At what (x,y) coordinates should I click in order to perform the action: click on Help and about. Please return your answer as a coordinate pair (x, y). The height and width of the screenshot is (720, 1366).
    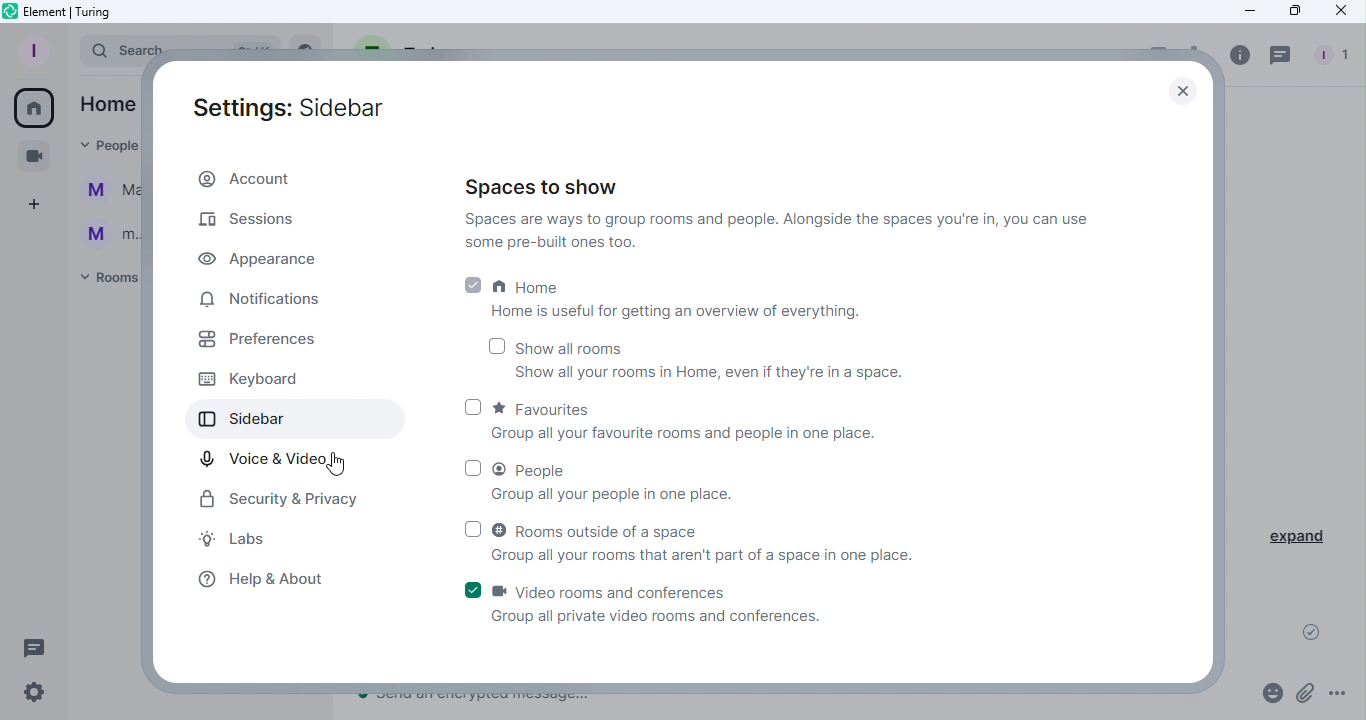
    Looking at the image, I should click on (268, 584).